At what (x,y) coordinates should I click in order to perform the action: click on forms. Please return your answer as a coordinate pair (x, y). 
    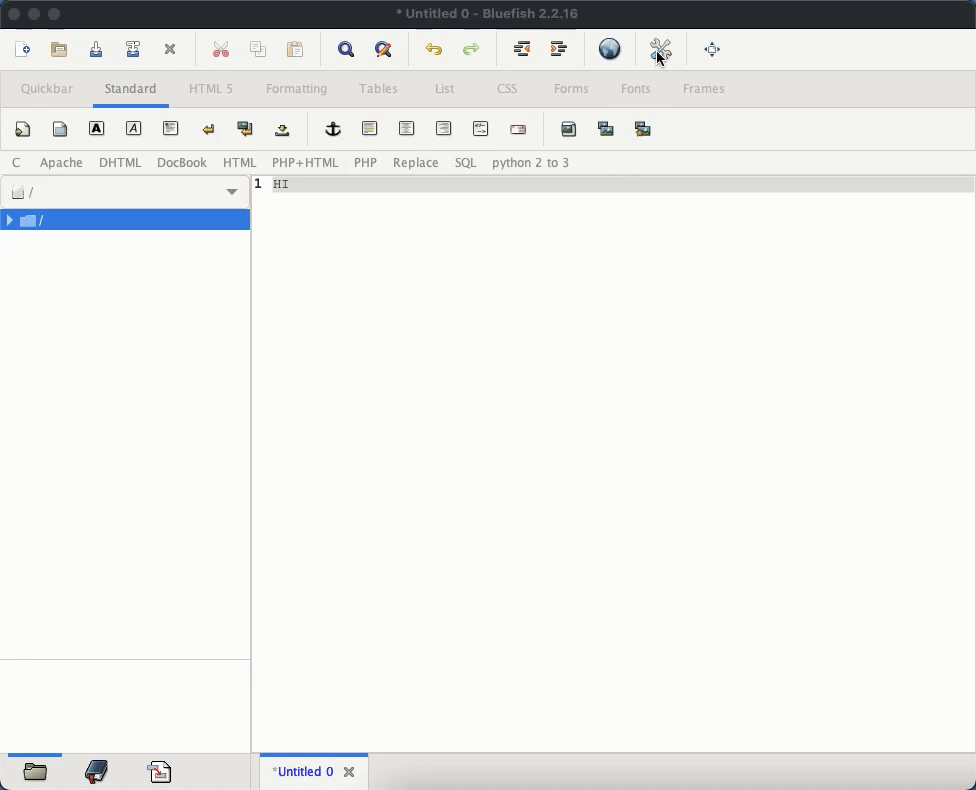
    Looking at the image, I should click on (575, 92).